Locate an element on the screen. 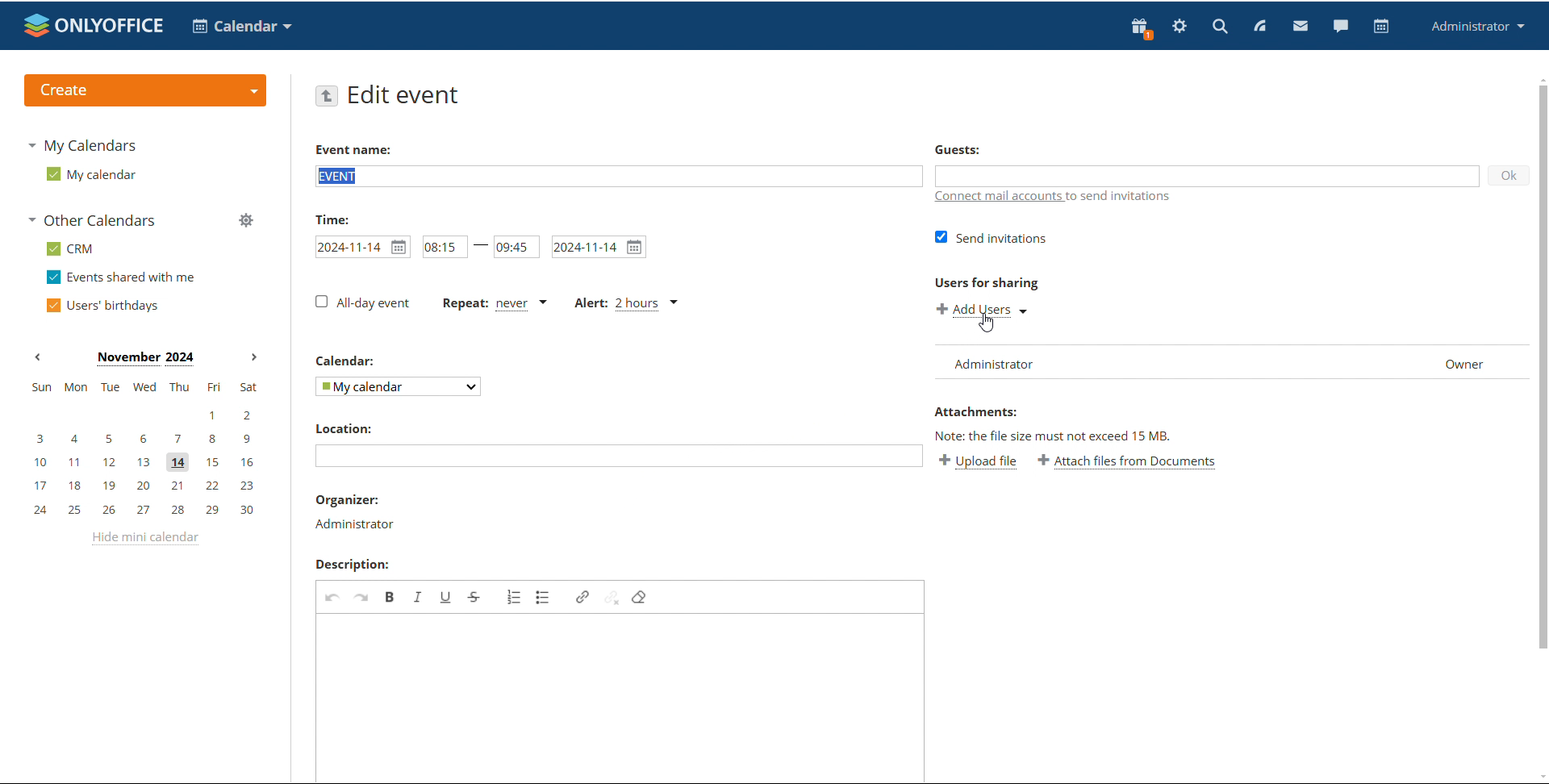 Image resolution: width=1549 pixels, height=784 pixels. add locaton is located at coordinates (619, 456).